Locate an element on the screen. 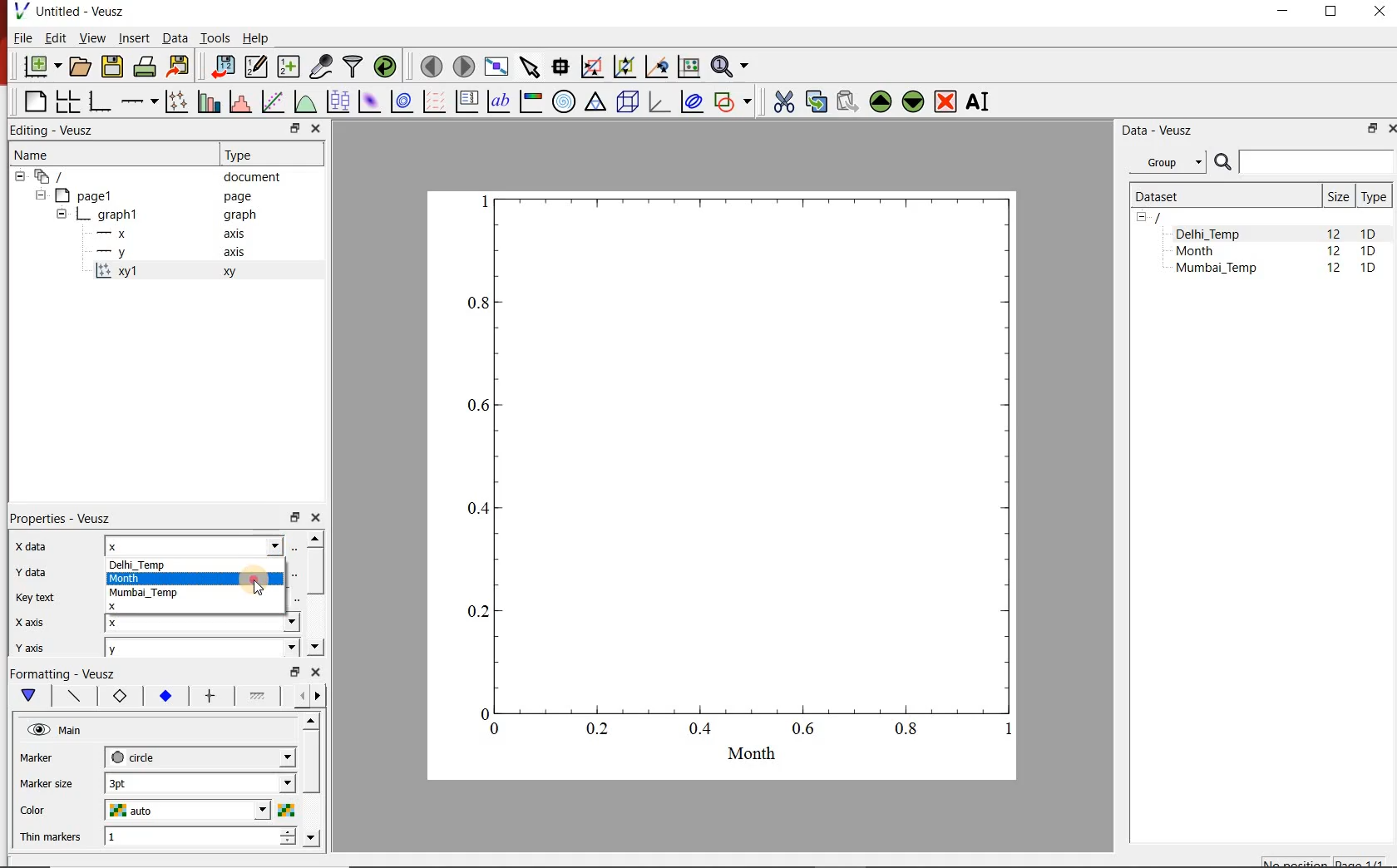  Axis label is located at coordinates (116, 696).